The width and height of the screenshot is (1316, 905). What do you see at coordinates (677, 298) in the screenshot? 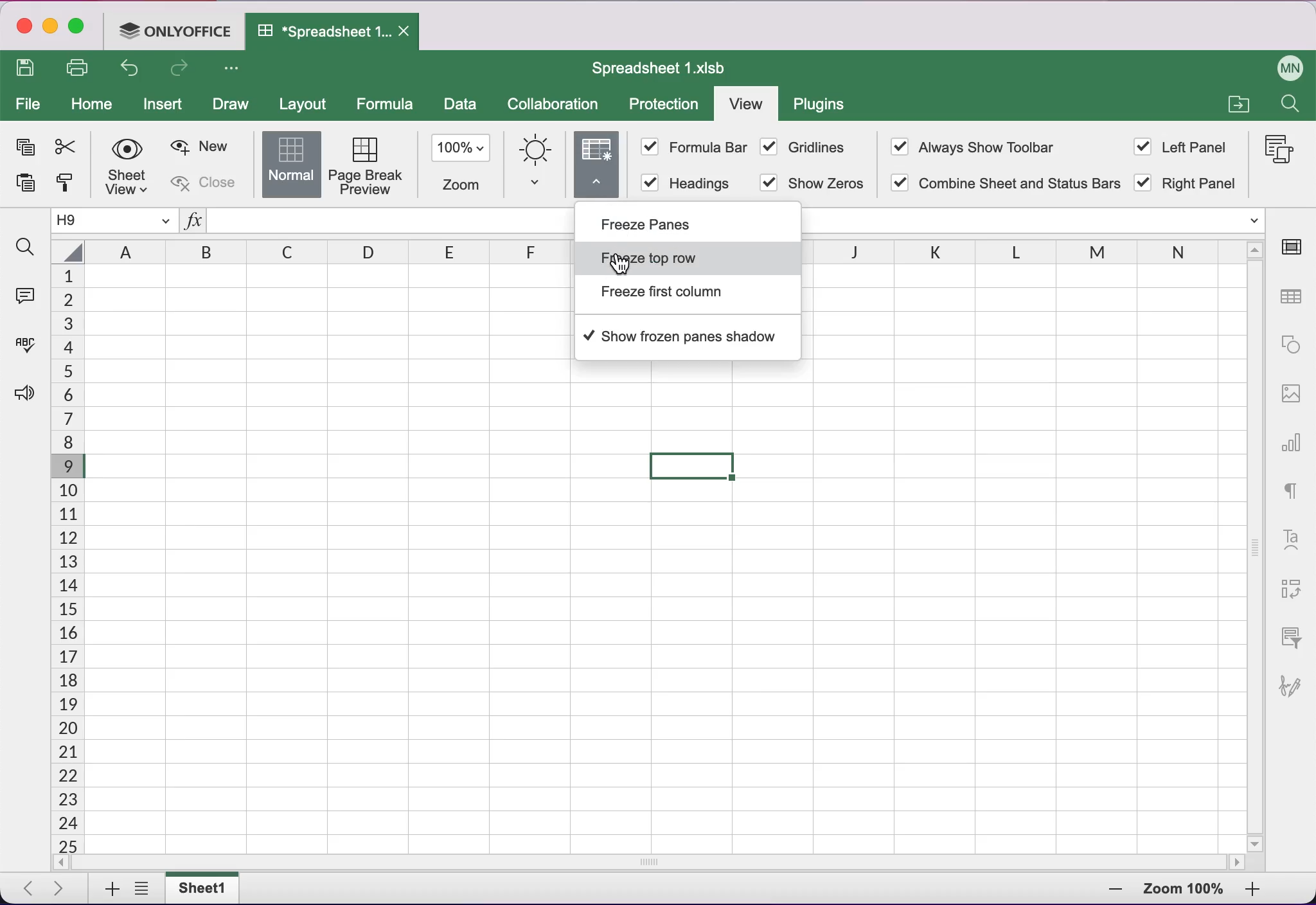
I see `freeze first column` at bounding box center [677, 298].